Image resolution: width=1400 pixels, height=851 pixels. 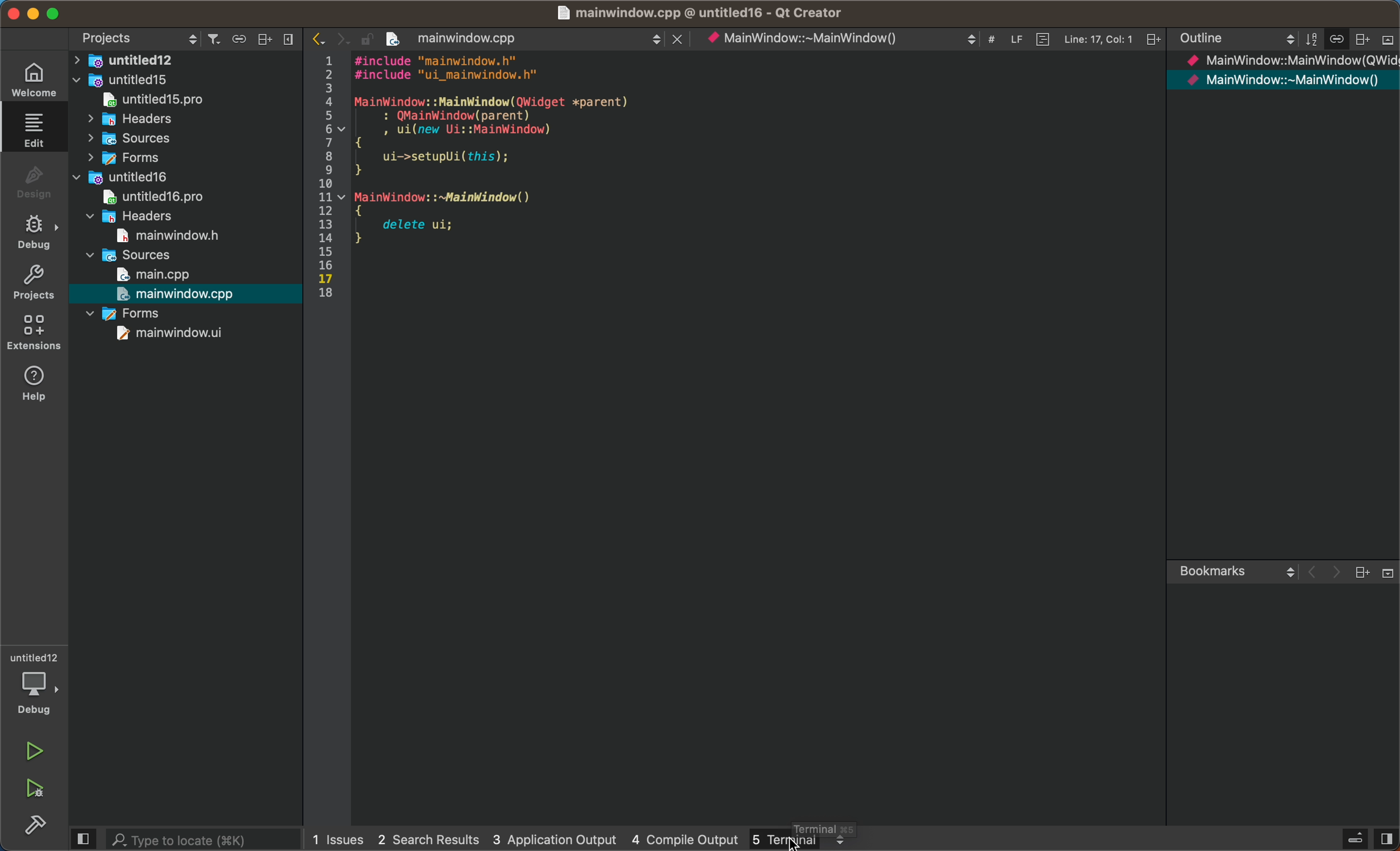 What do you see at coordinates (157, 275) in the screenshot?
I see `file` at bounding box center [157, 275].